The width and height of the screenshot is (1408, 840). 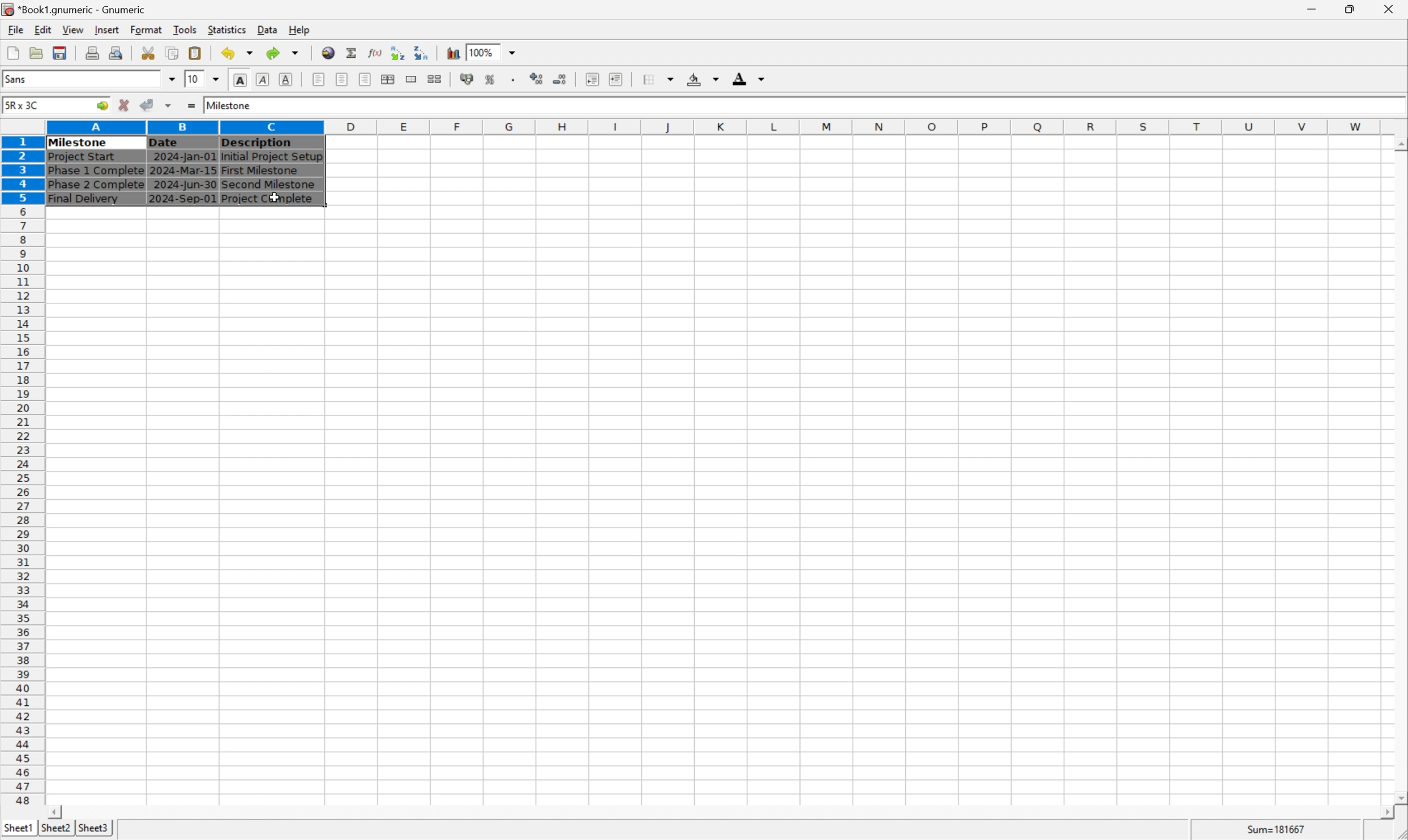 What do you see at coordinates (151, 104) in the screenshot?
I see `accept changes` at bounding box center [151, 104].